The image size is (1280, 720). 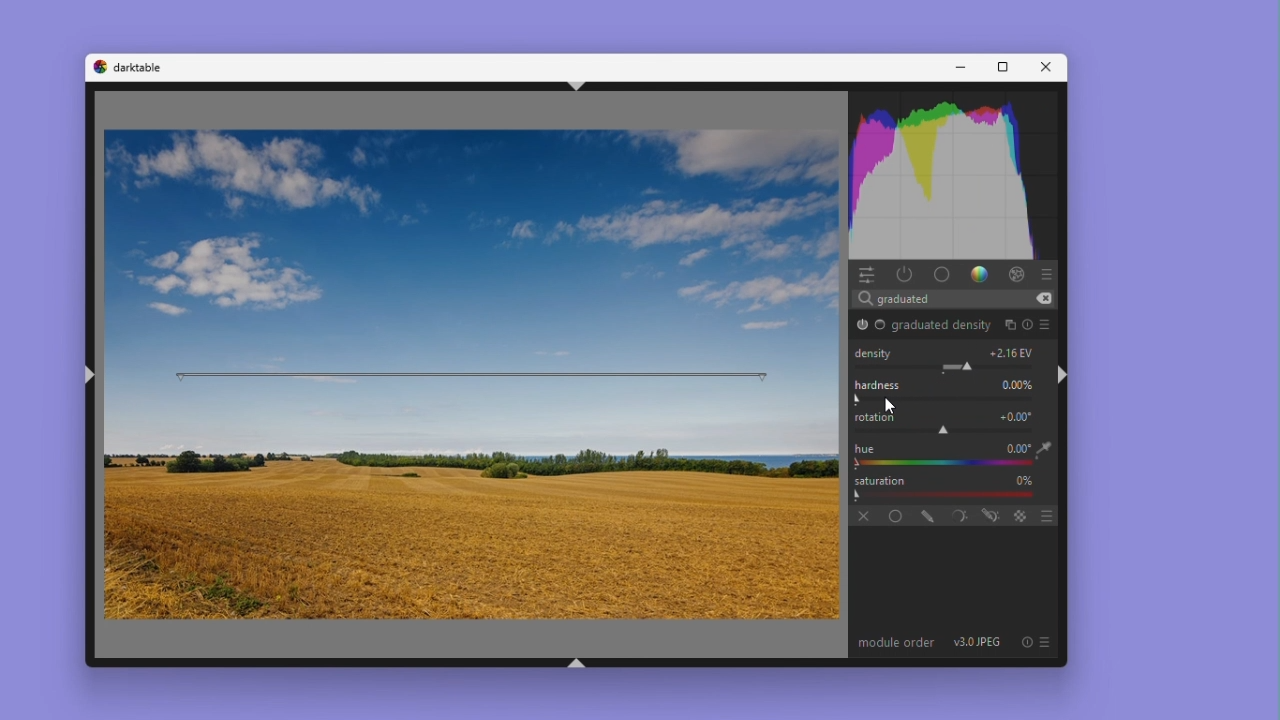 I want to click on Saturation, so click(x=878, y=481).